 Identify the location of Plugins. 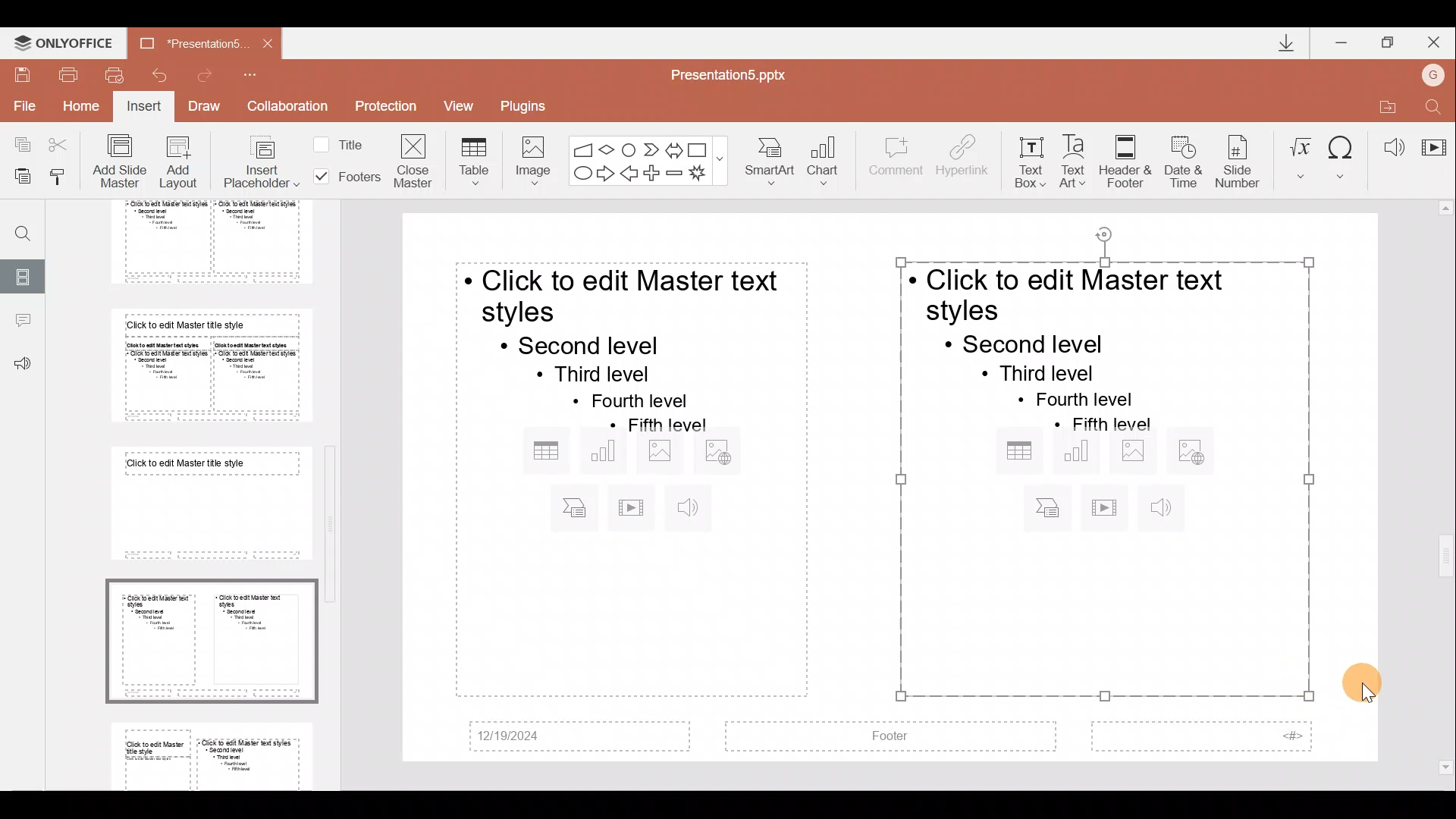
(529, 104).